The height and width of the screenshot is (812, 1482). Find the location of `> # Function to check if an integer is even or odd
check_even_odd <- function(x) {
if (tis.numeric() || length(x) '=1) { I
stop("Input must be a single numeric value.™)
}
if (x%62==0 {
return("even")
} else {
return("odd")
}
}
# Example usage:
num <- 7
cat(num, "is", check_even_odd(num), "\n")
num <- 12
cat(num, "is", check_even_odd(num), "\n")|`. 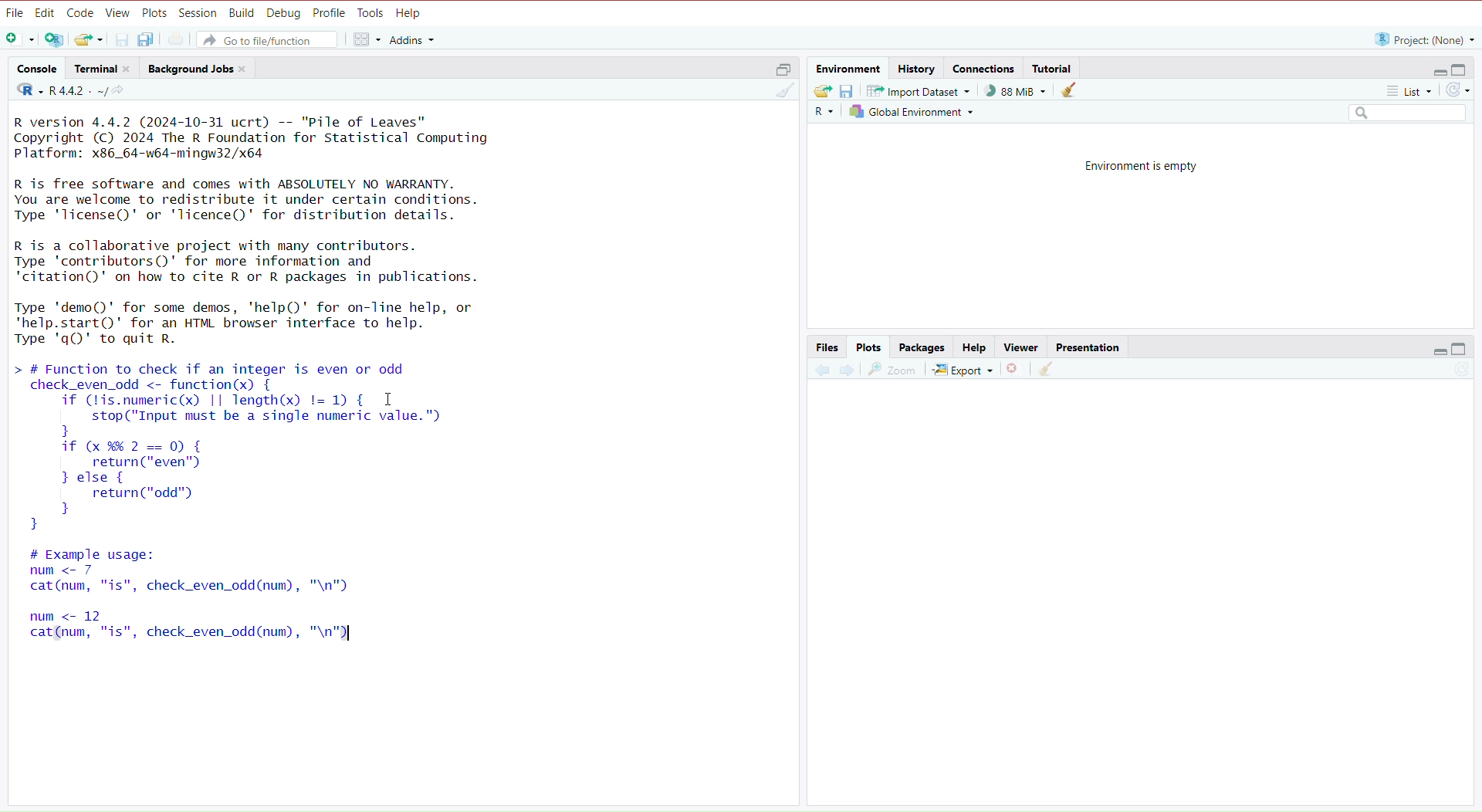

> # Function to check if an integer is even or odd
check_even_odd <- function(x) {
if (tis.numeric() || length(x) '=1) { I
stop("Input must be a single numeric value.™)
}
if (x%62==0 {
return("even")
} else {
return("odd")
}
}
# Example usage:
num <- 7
cat(num, "is", check_even_odd(num), "\n")
num <- 12
cat(num, "is", check_even_odd(num), "\n")| is located at coordinates (272, 509).